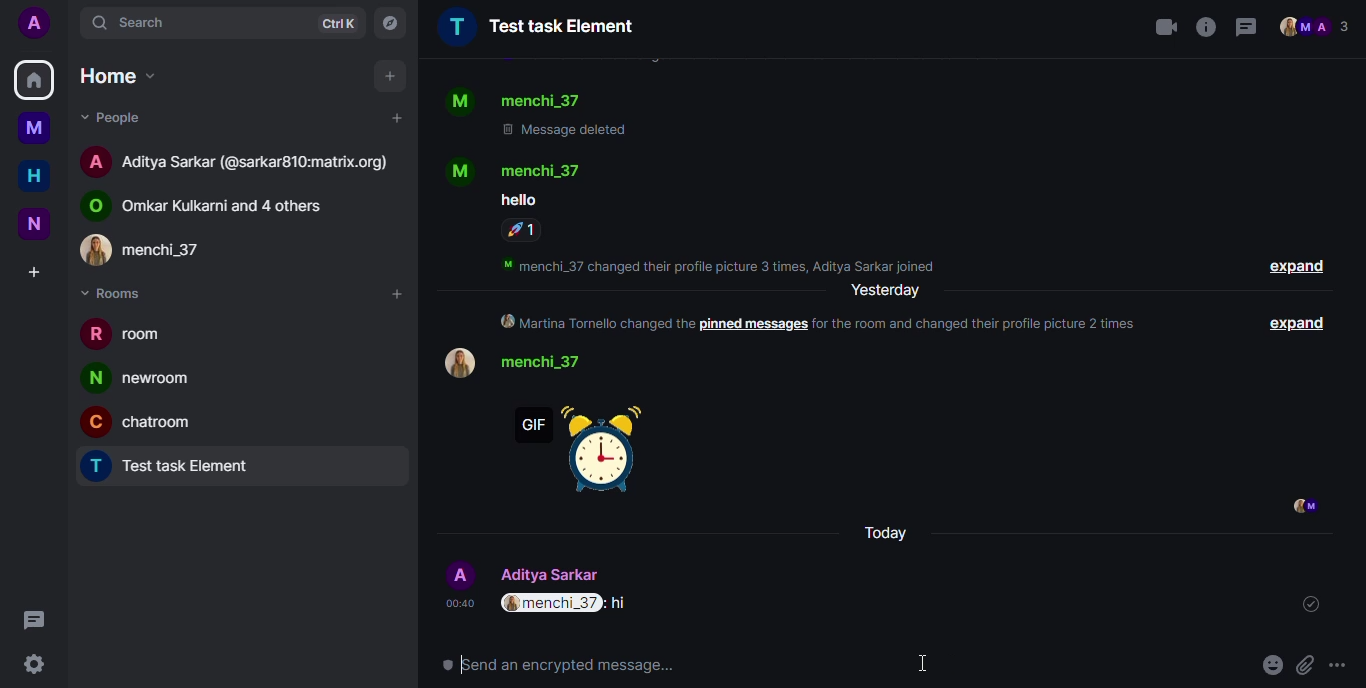 This screenshot has width=1366, height=688. What do you see at coordinates (1163, 24) in the screenshot?
I see `video call` at bounding box center [1163, 24].